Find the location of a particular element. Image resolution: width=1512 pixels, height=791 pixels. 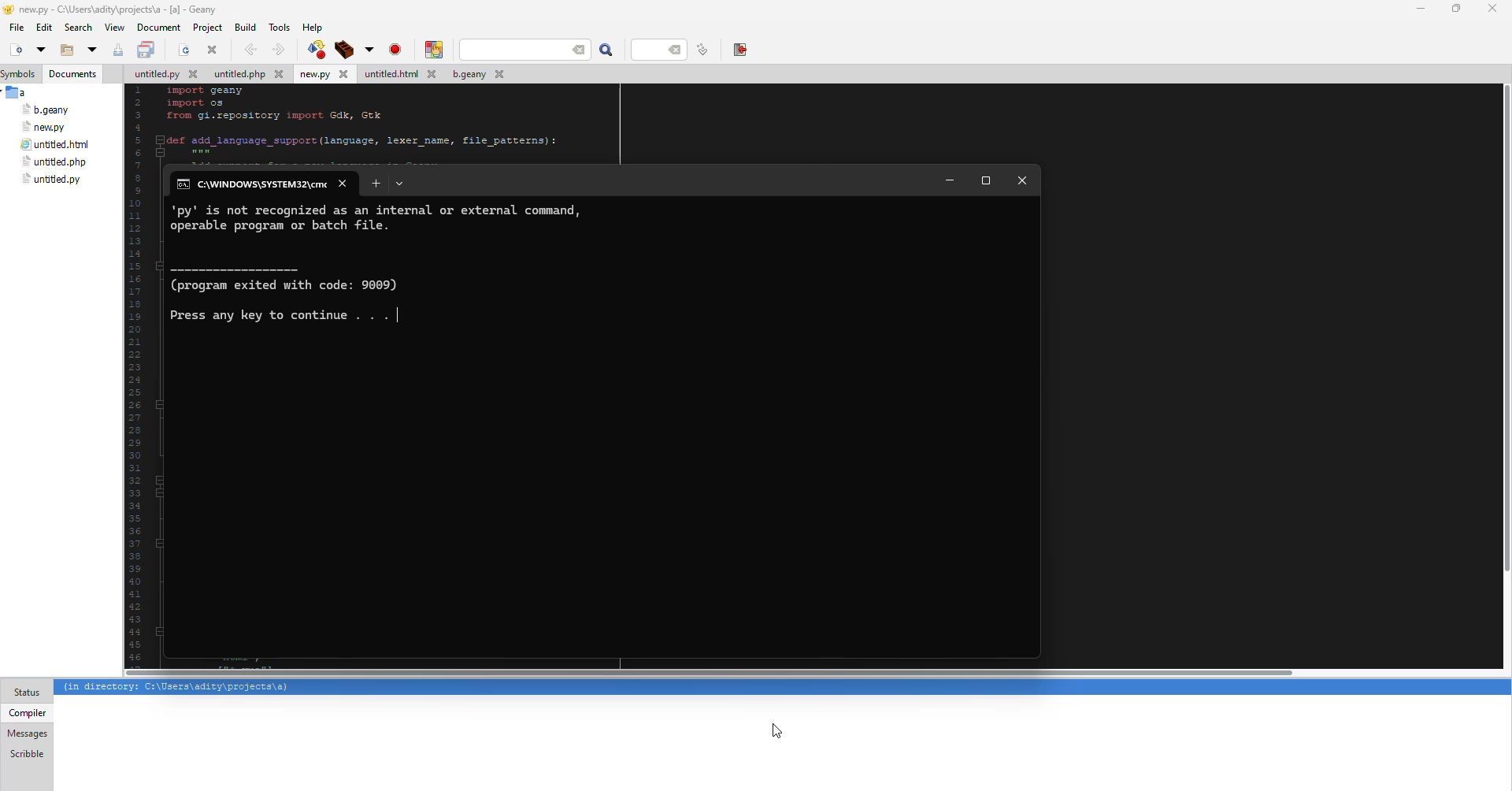

line is located at coordinates (701, 50).